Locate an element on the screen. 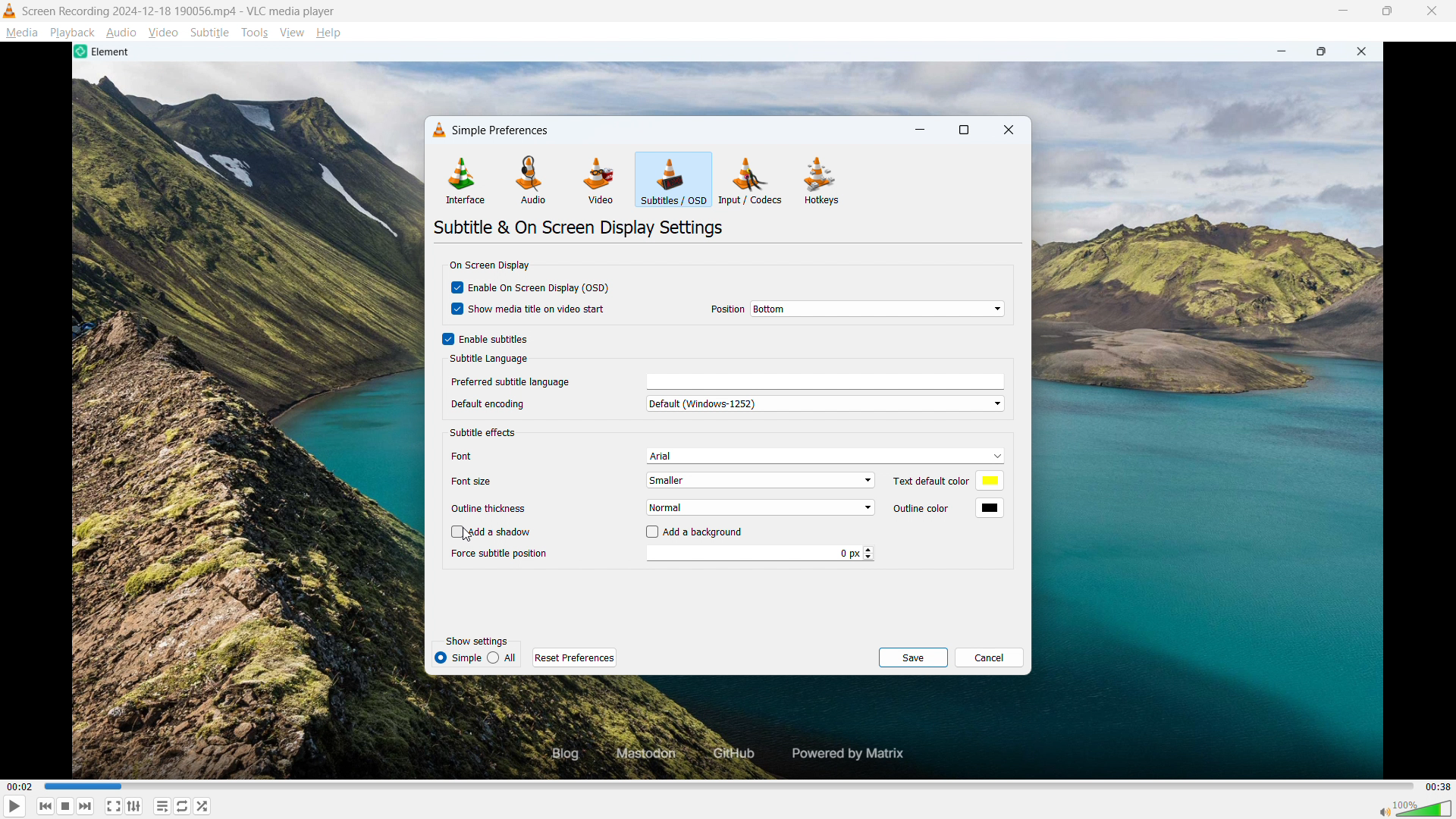  Simple is located at coordinates (458, 657).